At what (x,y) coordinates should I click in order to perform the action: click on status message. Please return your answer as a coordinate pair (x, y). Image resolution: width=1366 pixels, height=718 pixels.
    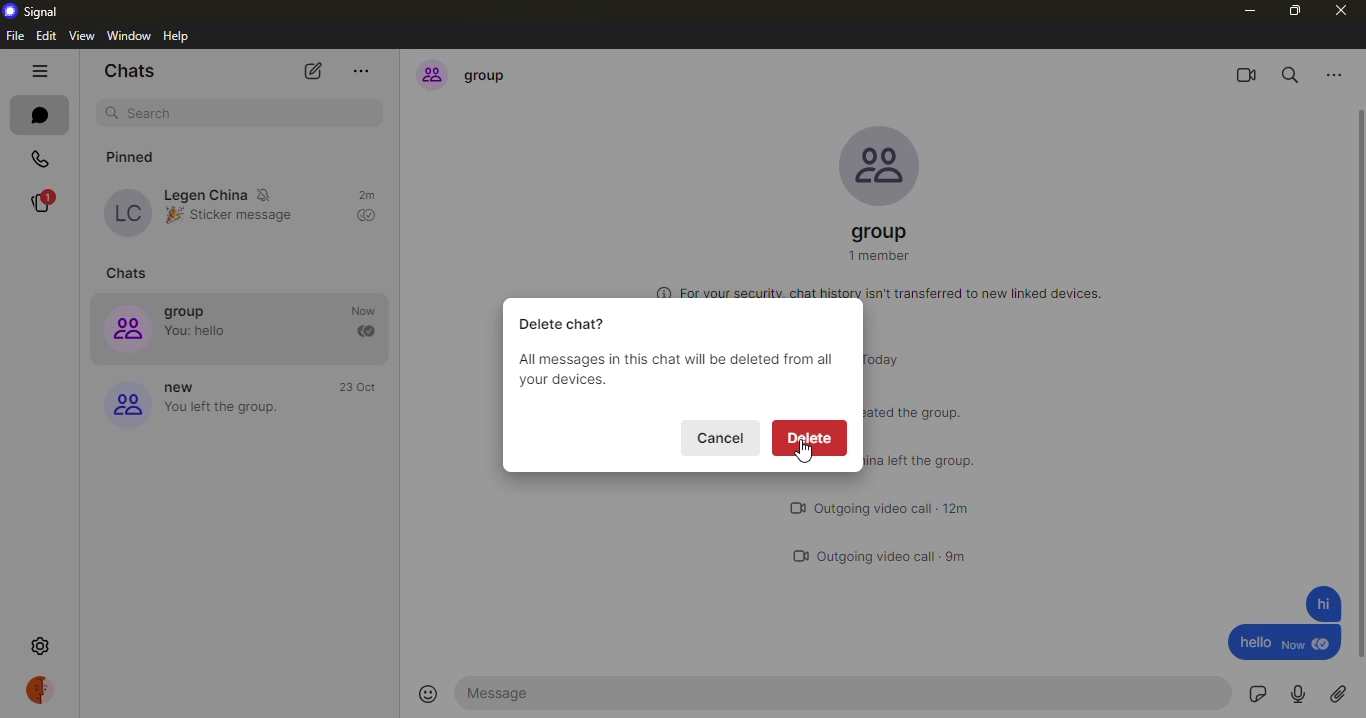
    Looking at the image, I should click on (926, 414).